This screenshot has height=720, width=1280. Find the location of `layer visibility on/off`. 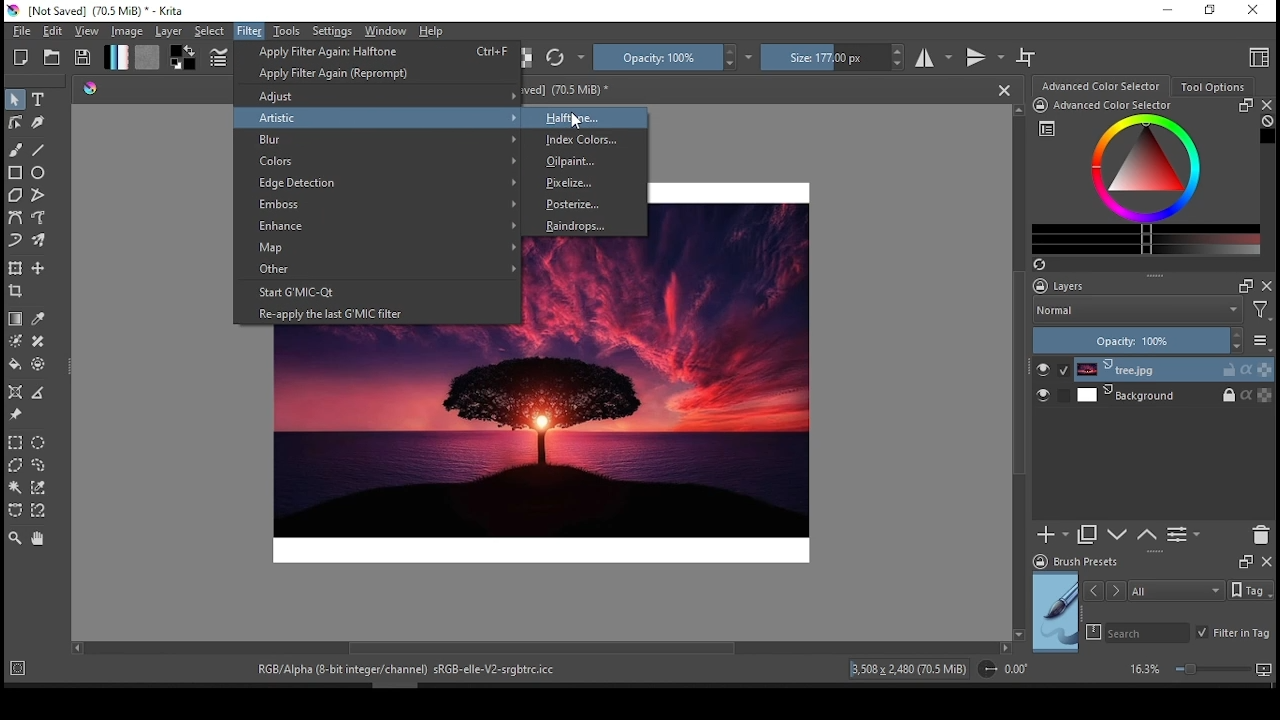

layer visibility on/off is located at coordinates (1052, 368).